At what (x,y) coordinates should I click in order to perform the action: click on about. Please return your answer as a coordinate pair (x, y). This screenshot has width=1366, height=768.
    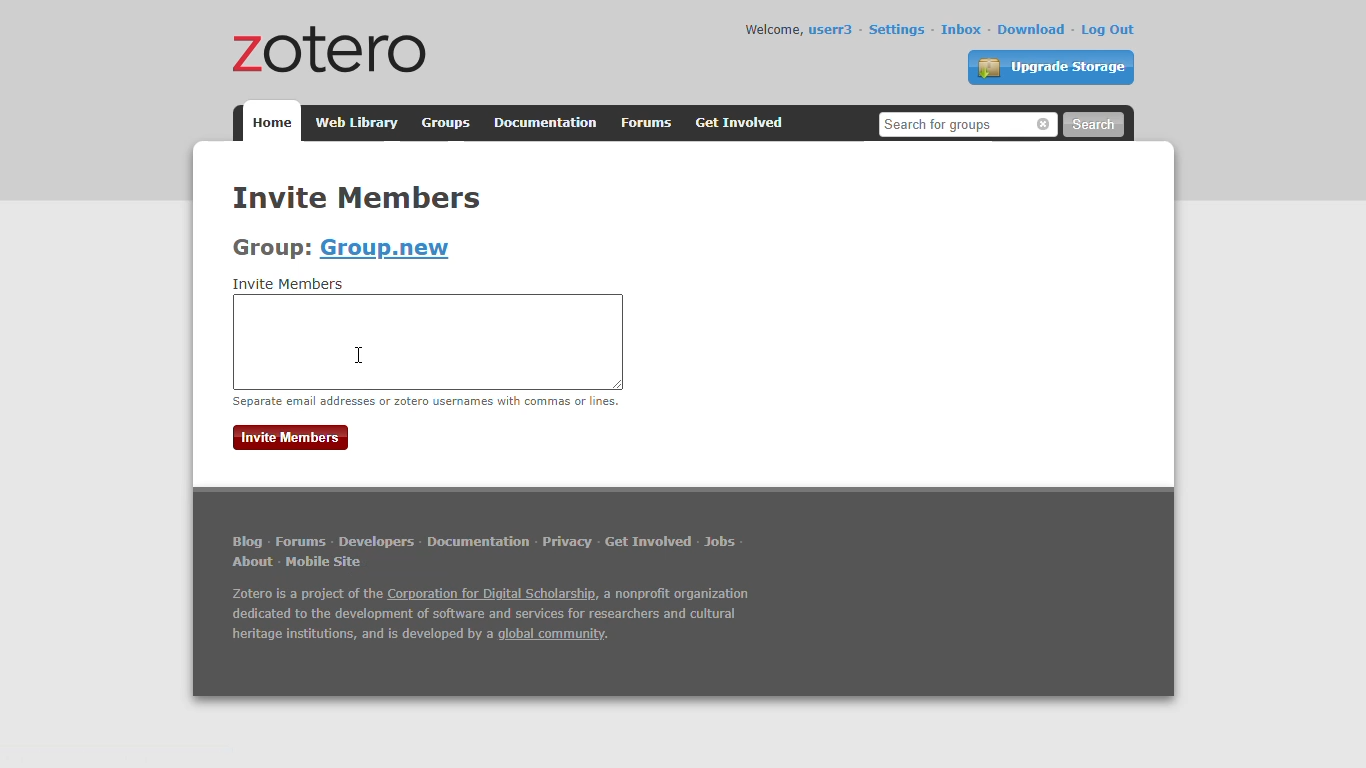
    Looking at the image, I should click on (252, 562).